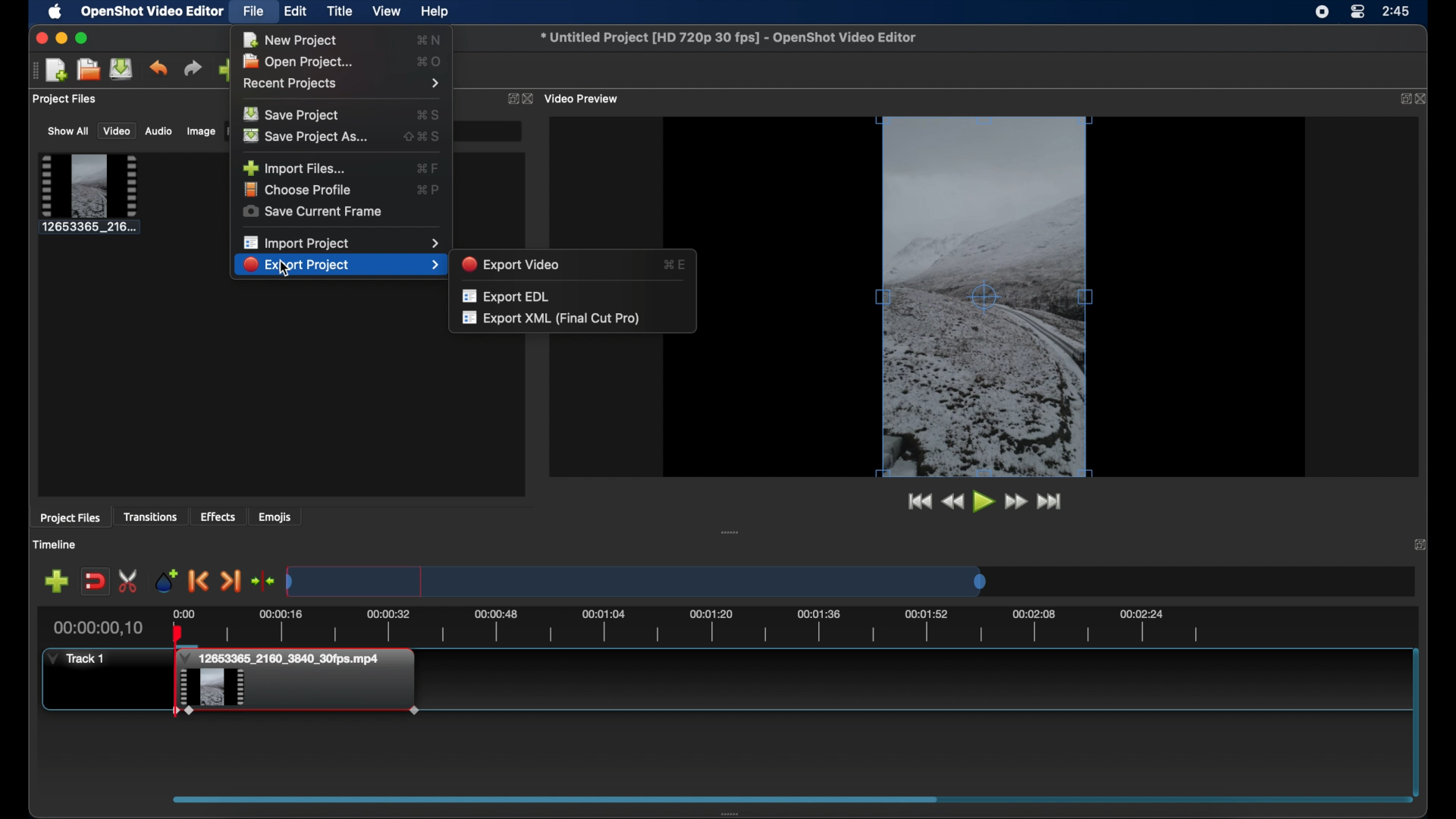 This screenshot has width=1456, height=819. Describe the element at coordinates (689, 626) in the screenshot. I see `timeline` at that location.